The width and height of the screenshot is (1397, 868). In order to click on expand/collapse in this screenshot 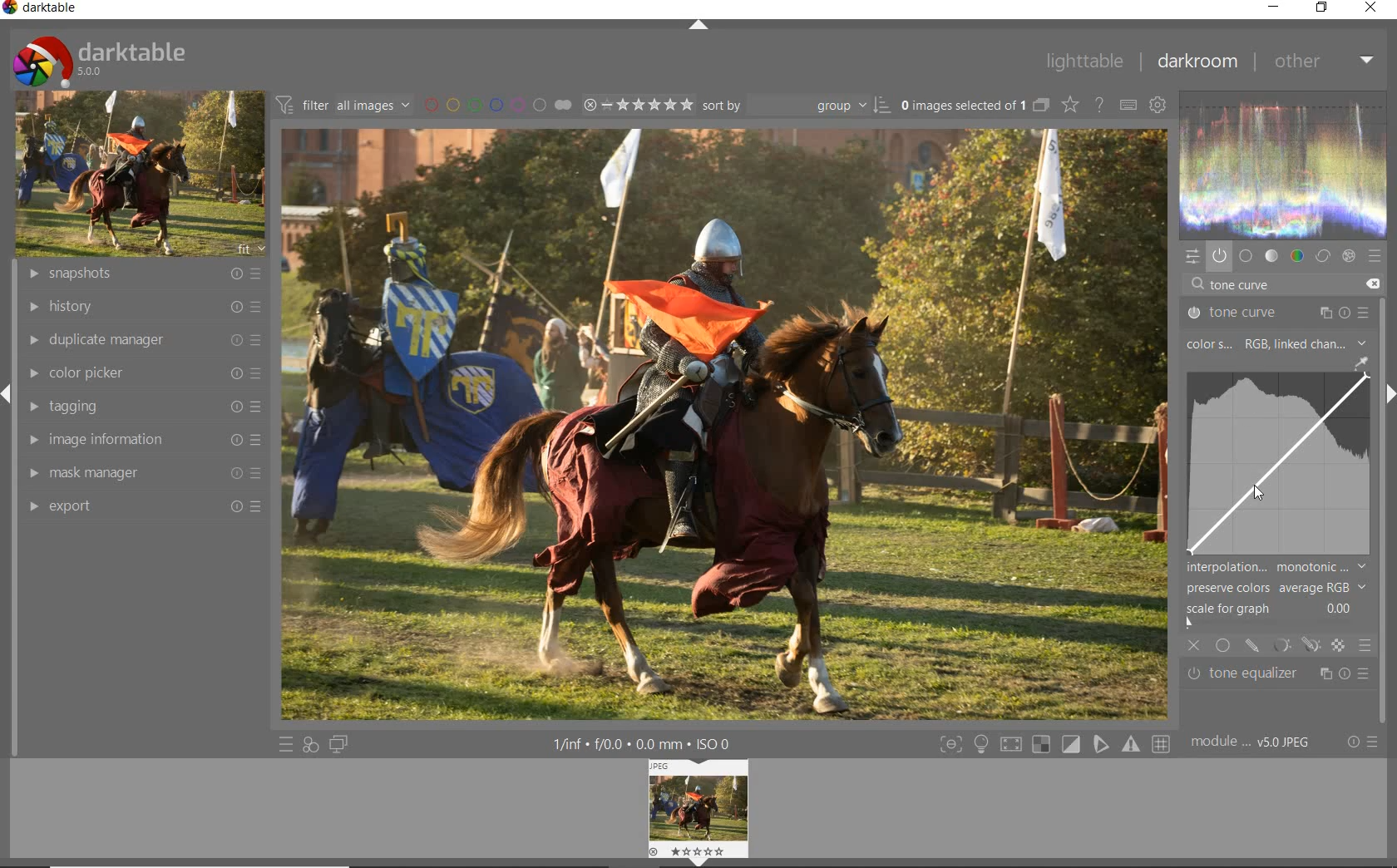, I will do `click(698, 26)`.